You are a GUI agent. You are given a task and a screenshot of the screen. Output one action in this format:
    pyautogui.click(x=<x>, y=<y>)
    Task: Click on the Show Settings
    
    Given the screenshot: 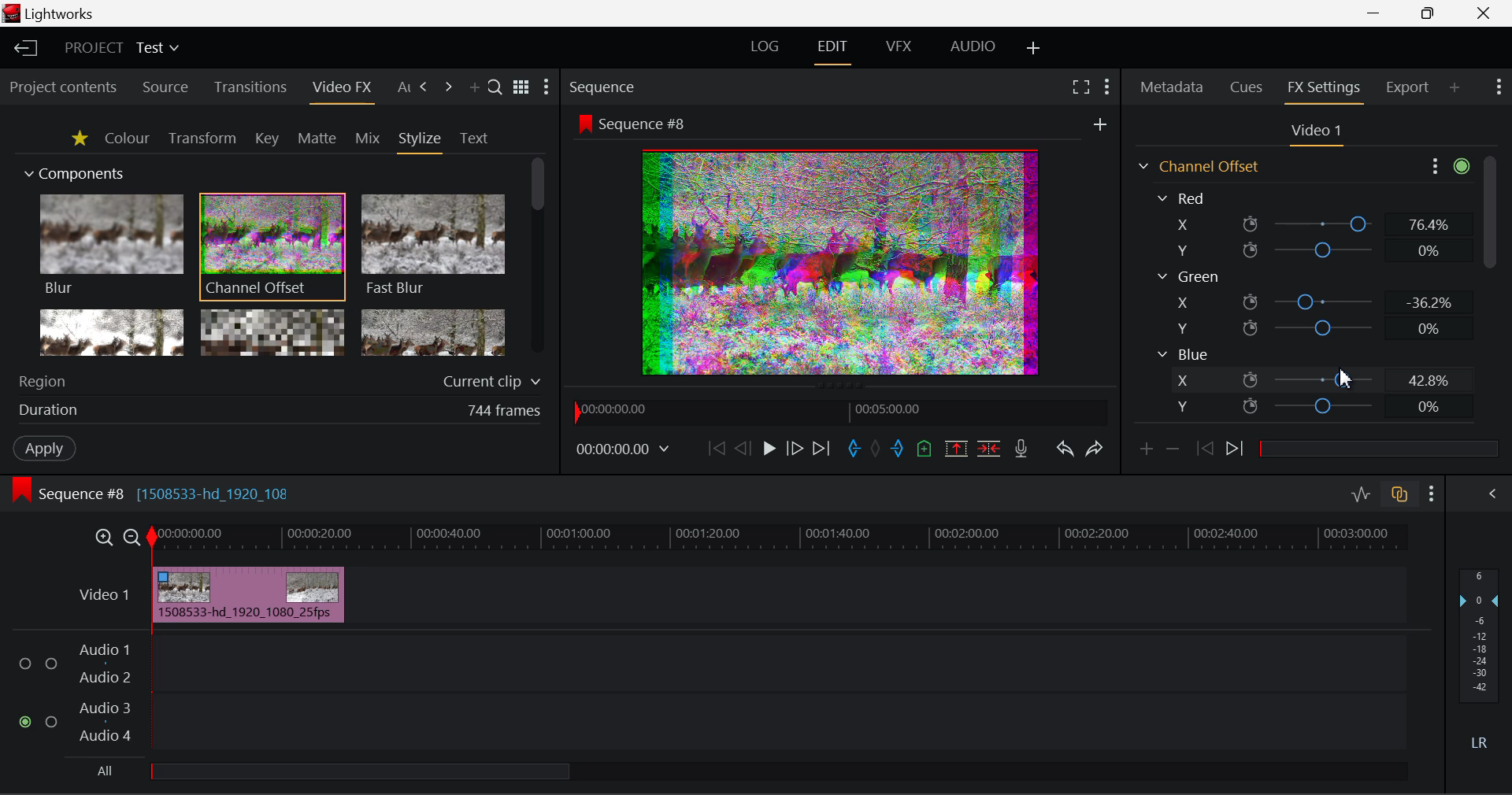 What is the action you would take?
    pyautogui.click(x=1498, y=87)
    